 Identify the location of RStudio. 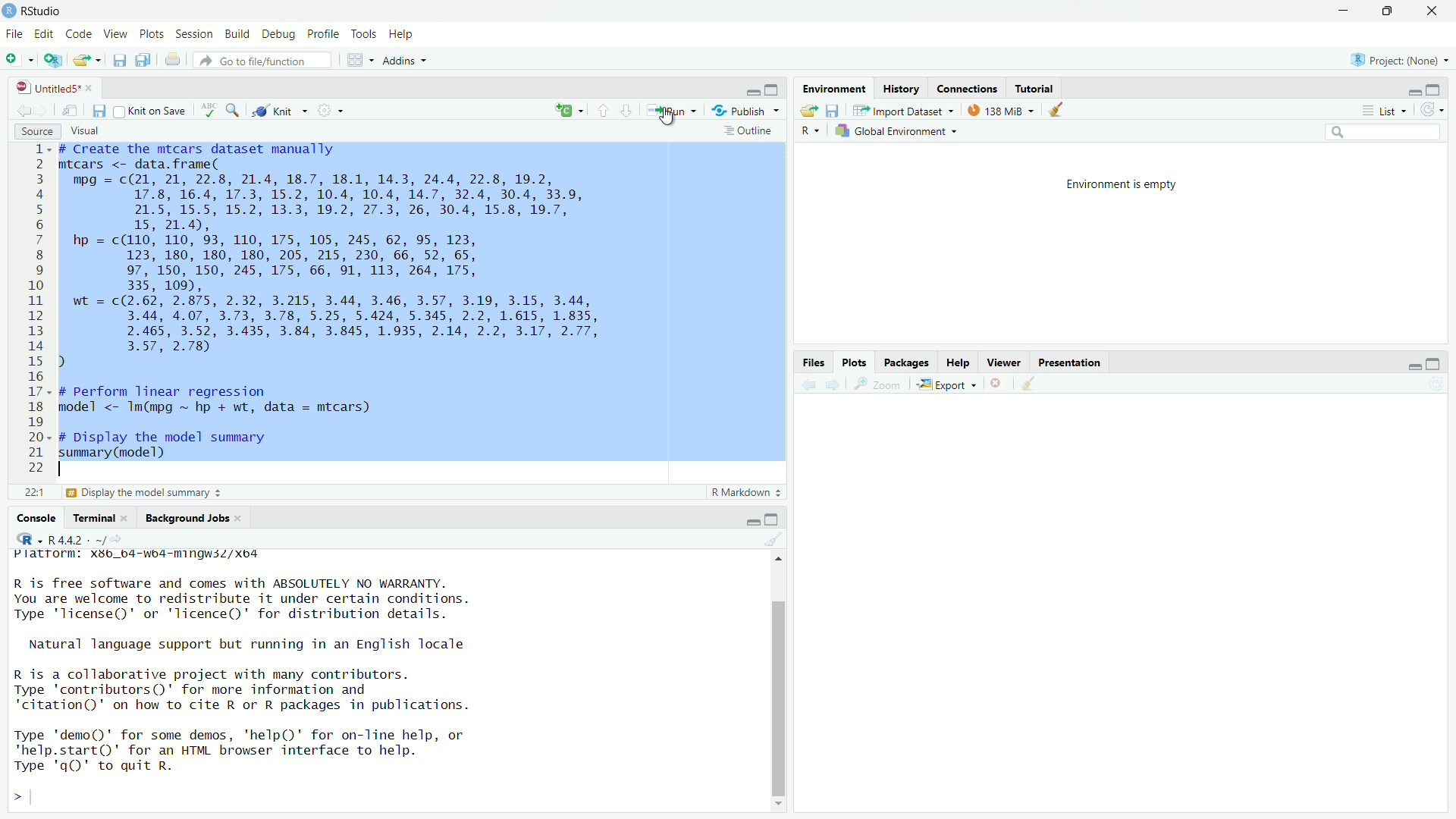
(42, 11).